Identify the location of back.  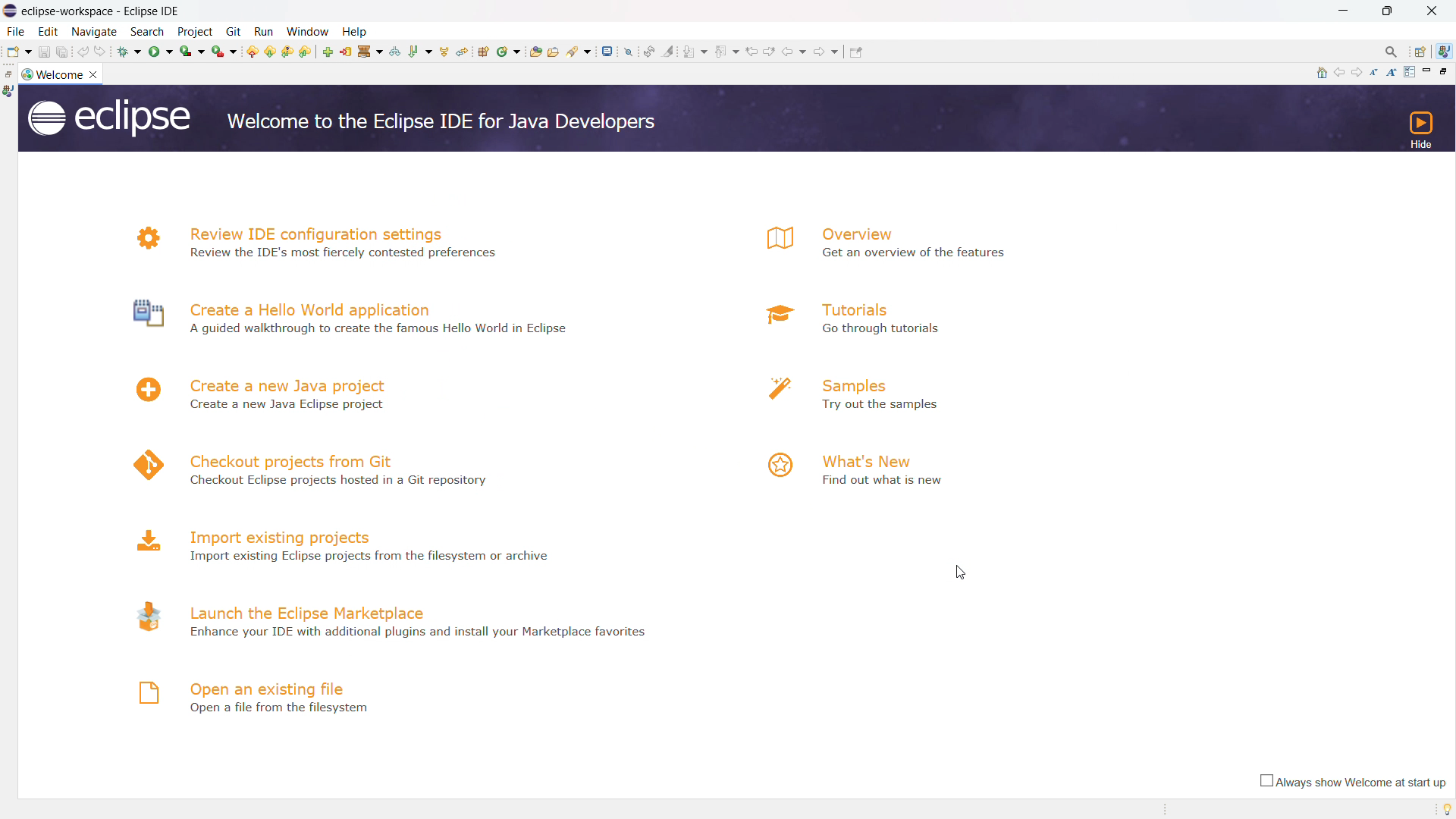
(799, 54).